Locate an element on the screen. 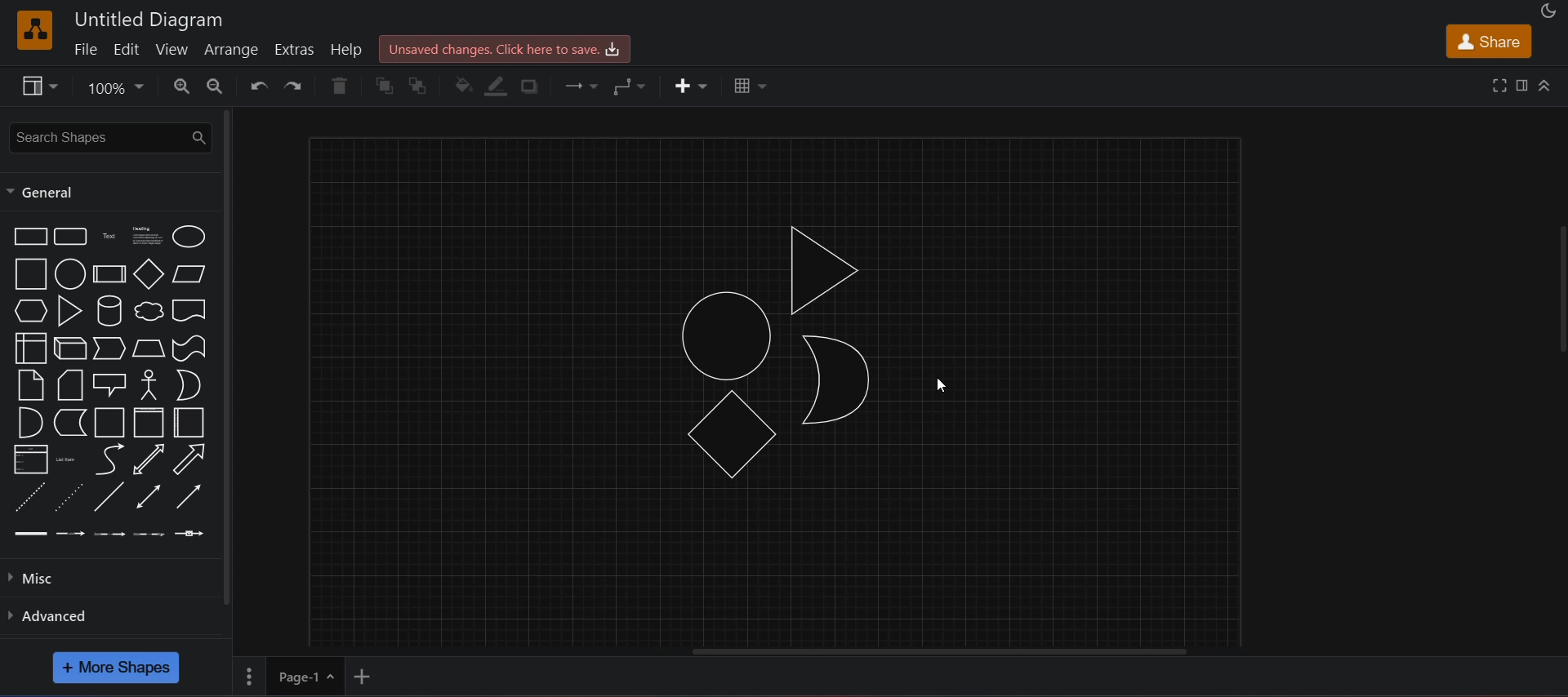 The image size is (1568, 697). page 1  is located at coordinates (287, 674).